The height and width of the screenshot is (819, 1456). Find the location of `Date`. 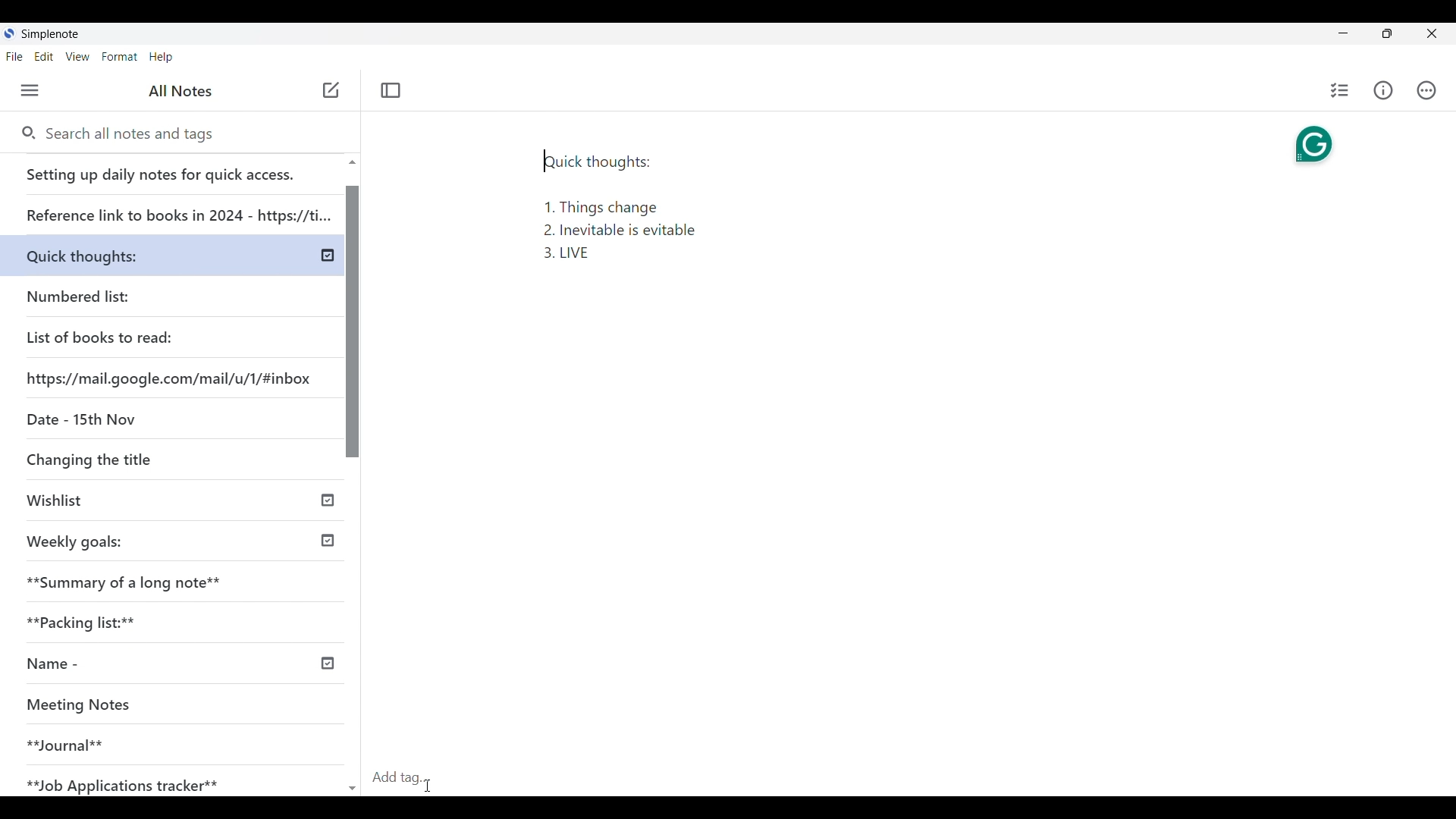

Date is located at coordinates (78, 418).